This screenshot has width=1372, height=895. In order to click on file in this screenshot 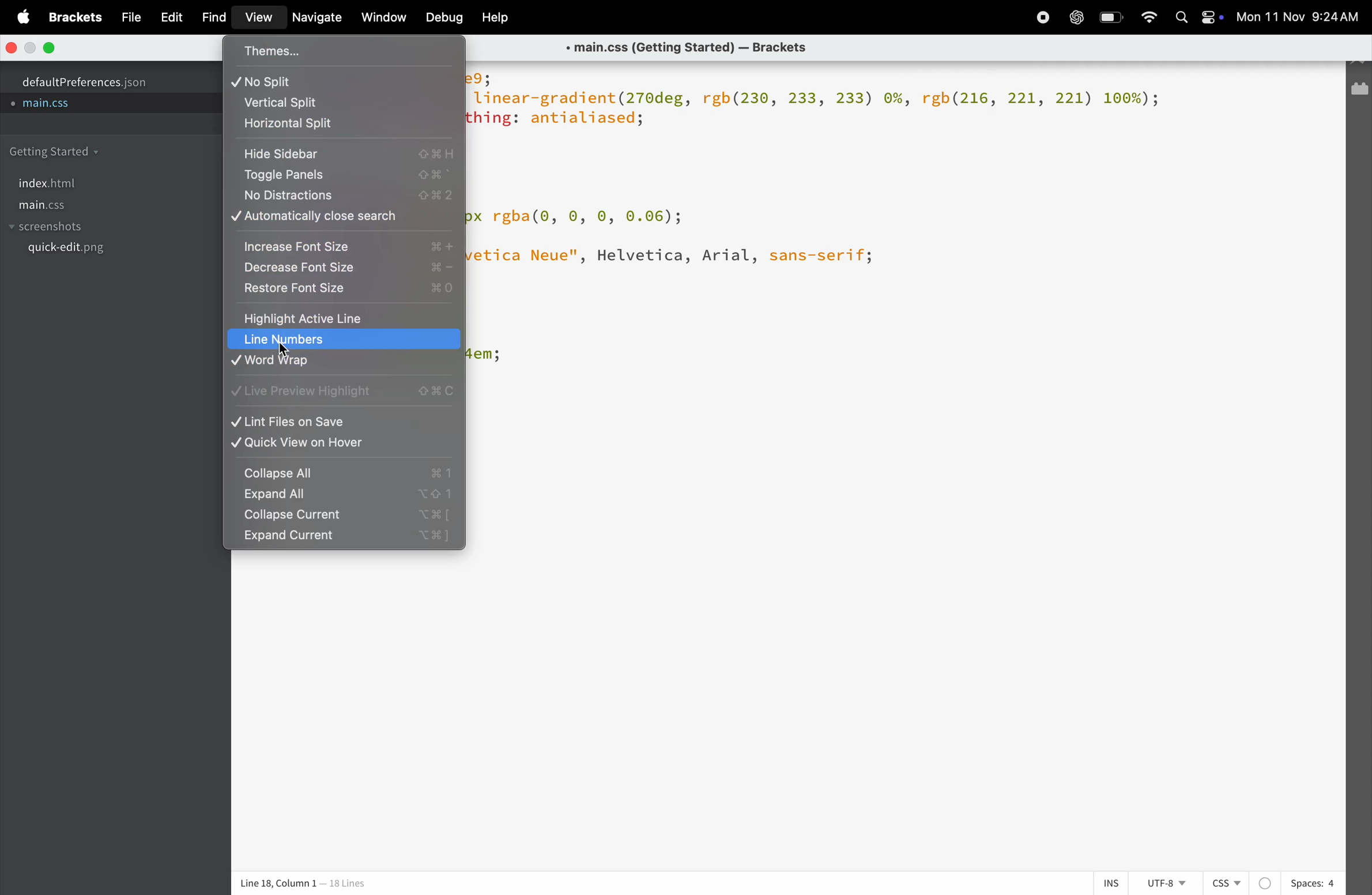, I will do `click(126, 17)`.